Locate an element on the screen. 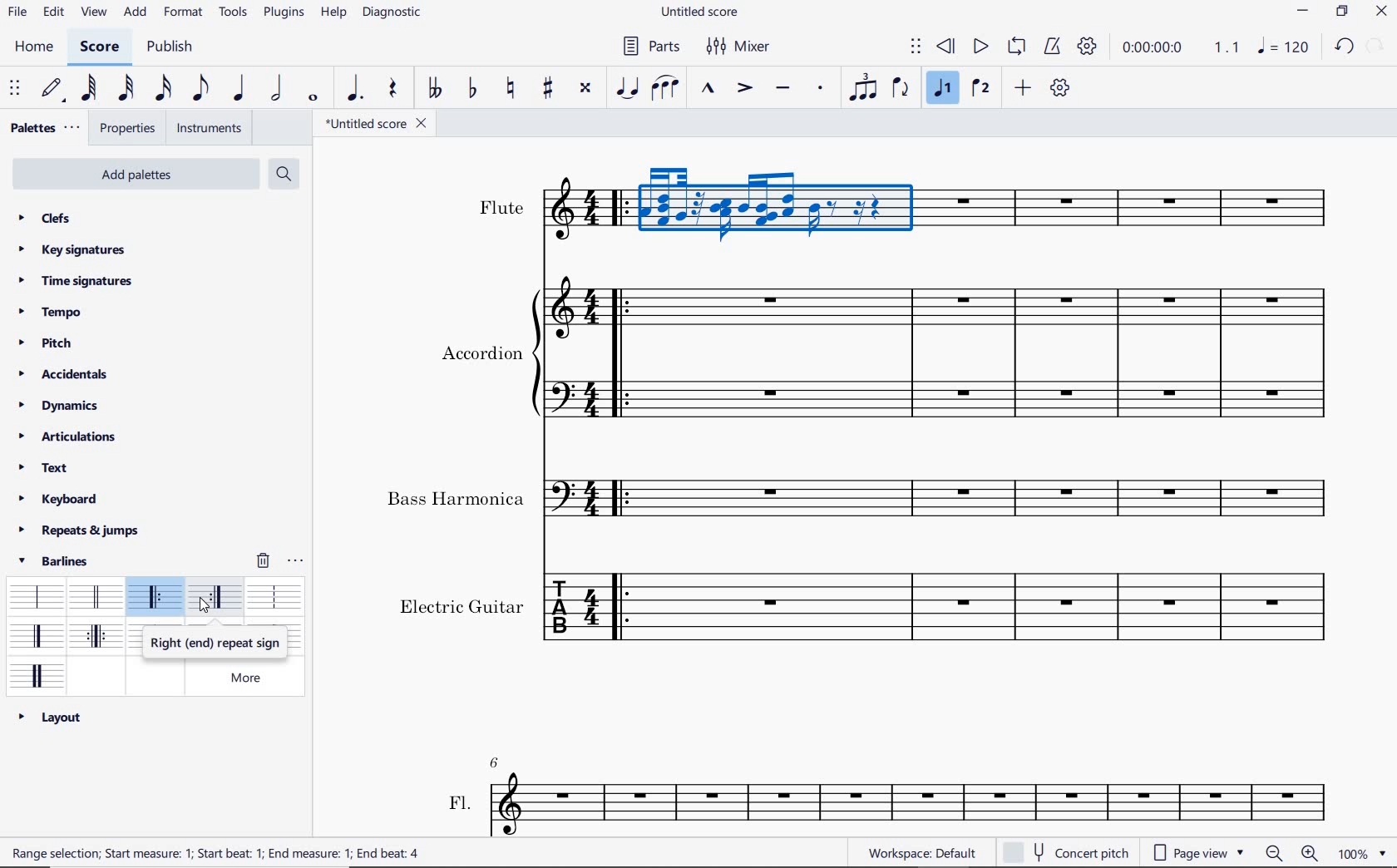 Image resolution: width=1397 pixels, height=868 pixels. play is located at coordinates (980, 47).